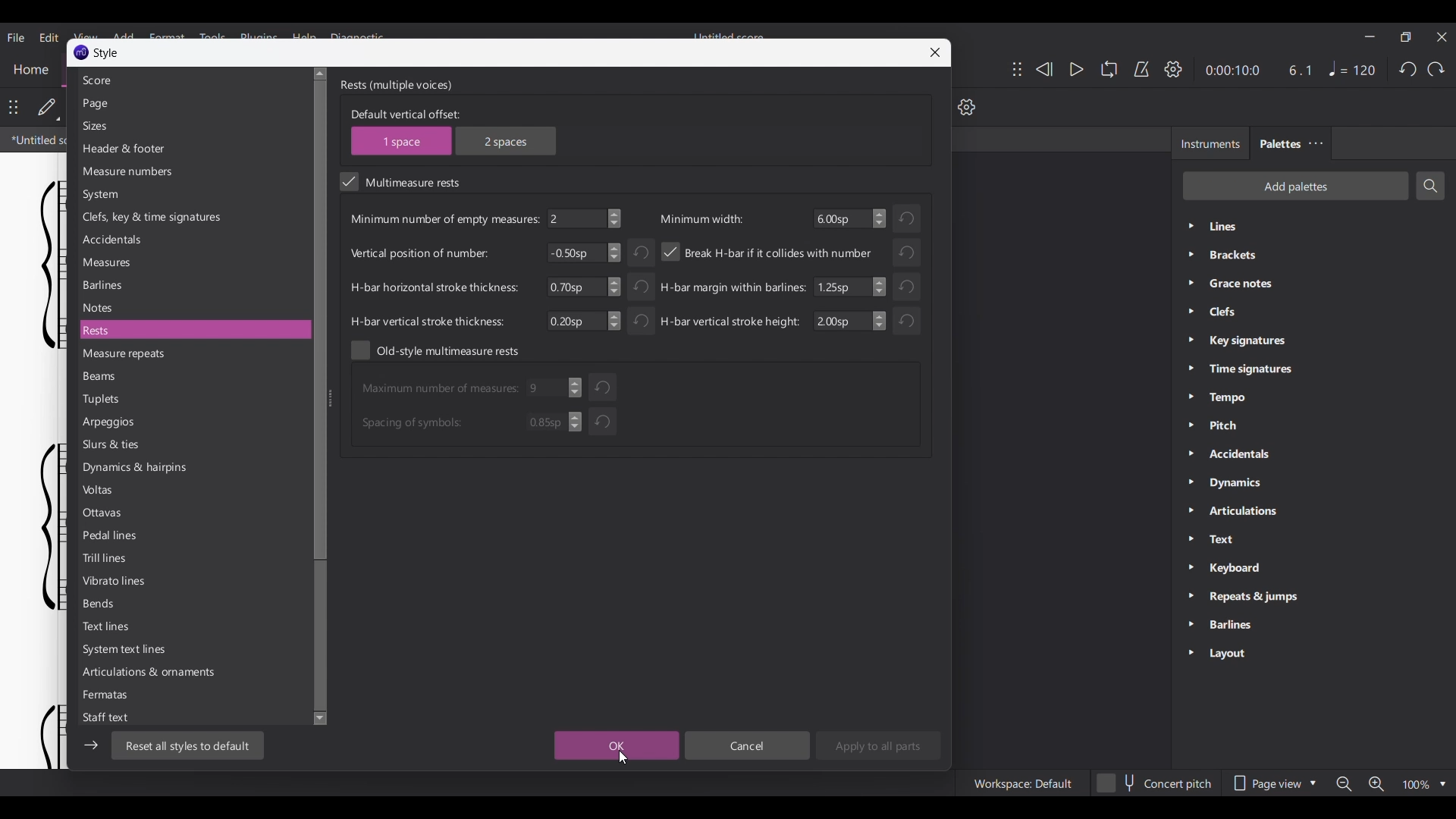 The width and height of the screenshot is (1456, 819). What do you see at coordinates (192, 717) in the screenshot?
I see `Staff text` at bounding box center [192, 717].